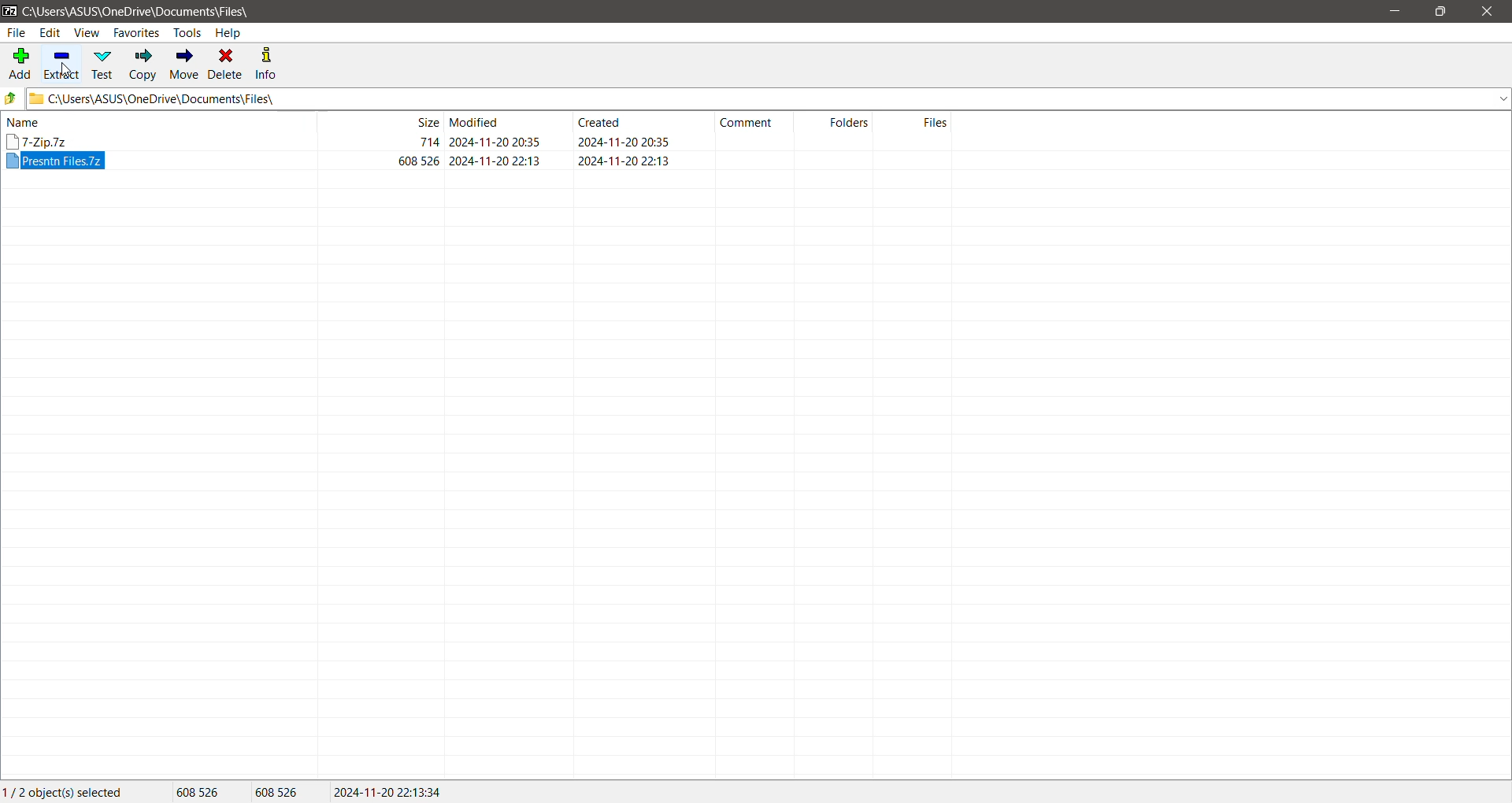  I want to click on View, so click(87, 32).